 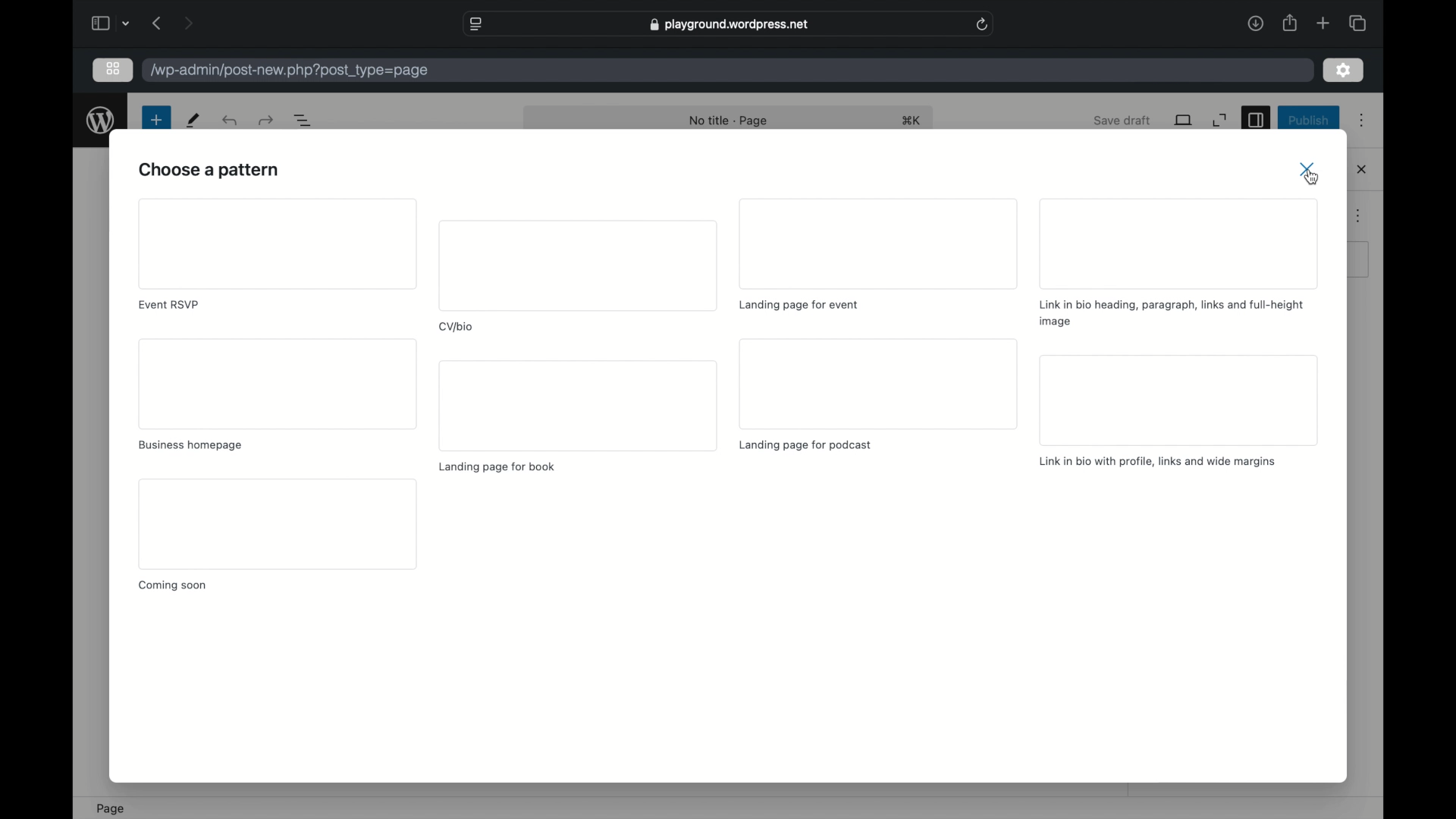 What do you see at coordinates (1364, 170) in the screenshot?
I see `close` at bounding box center [1364, 170].